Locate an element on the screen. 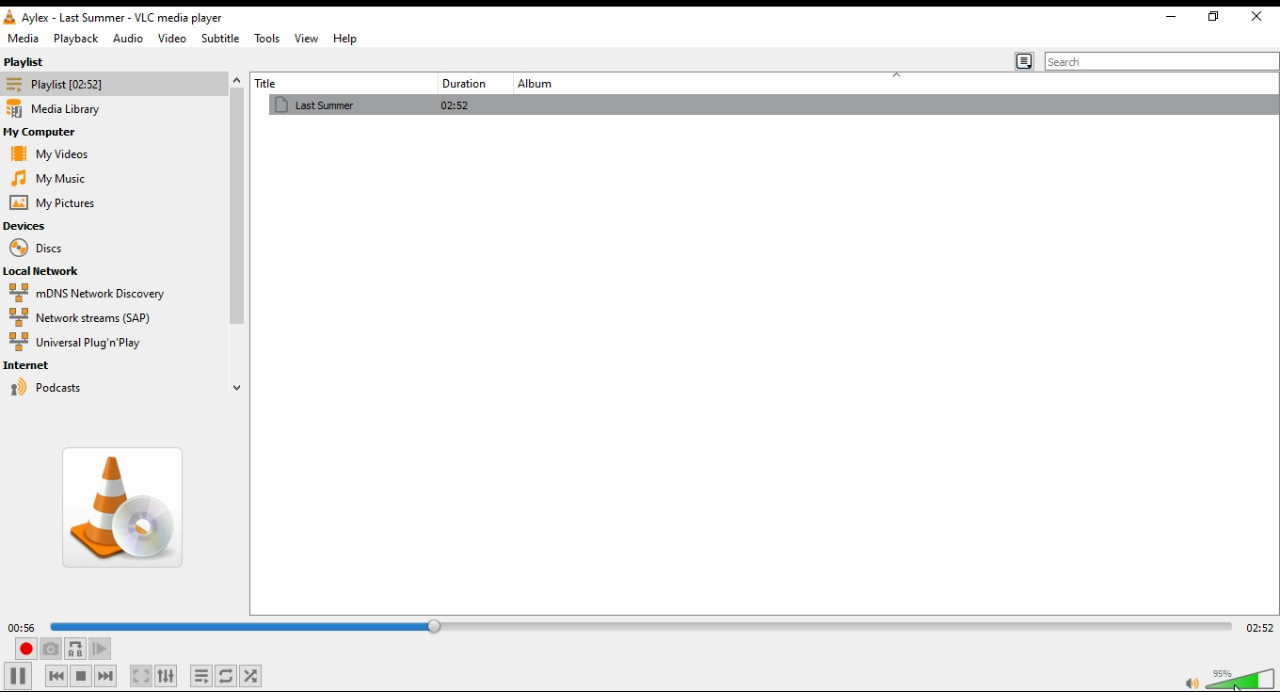  scroll bar is located at coordinates (237, 231).